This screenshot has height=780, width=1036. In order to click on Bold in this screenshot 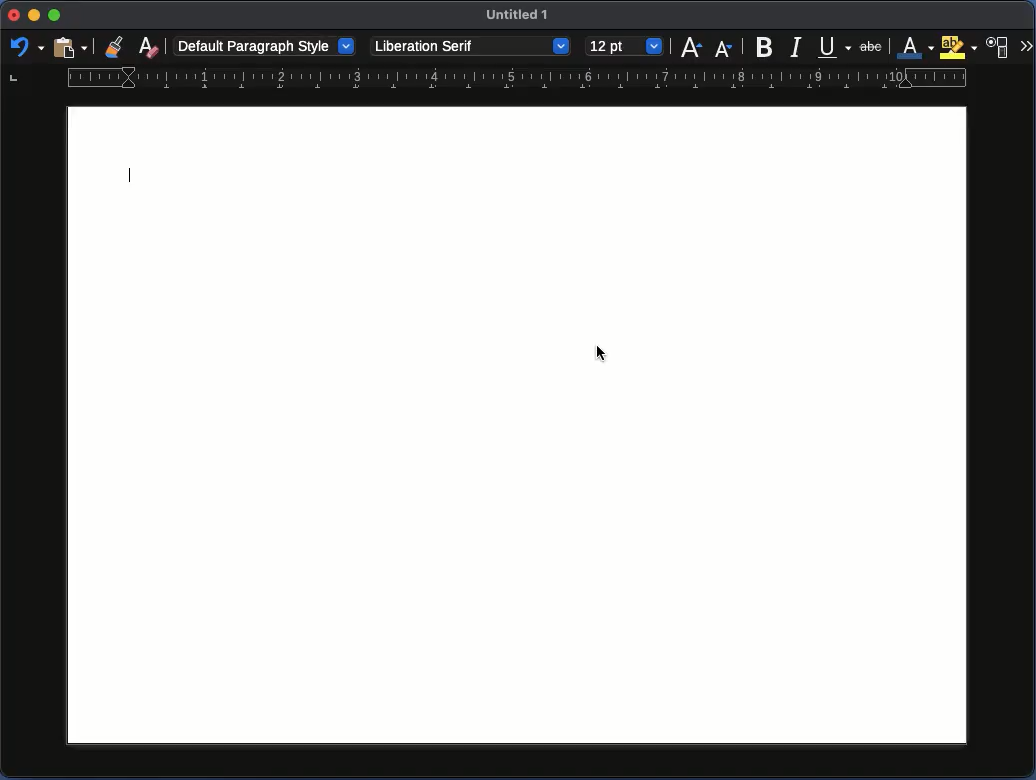, I will do `click(765, 45)`.